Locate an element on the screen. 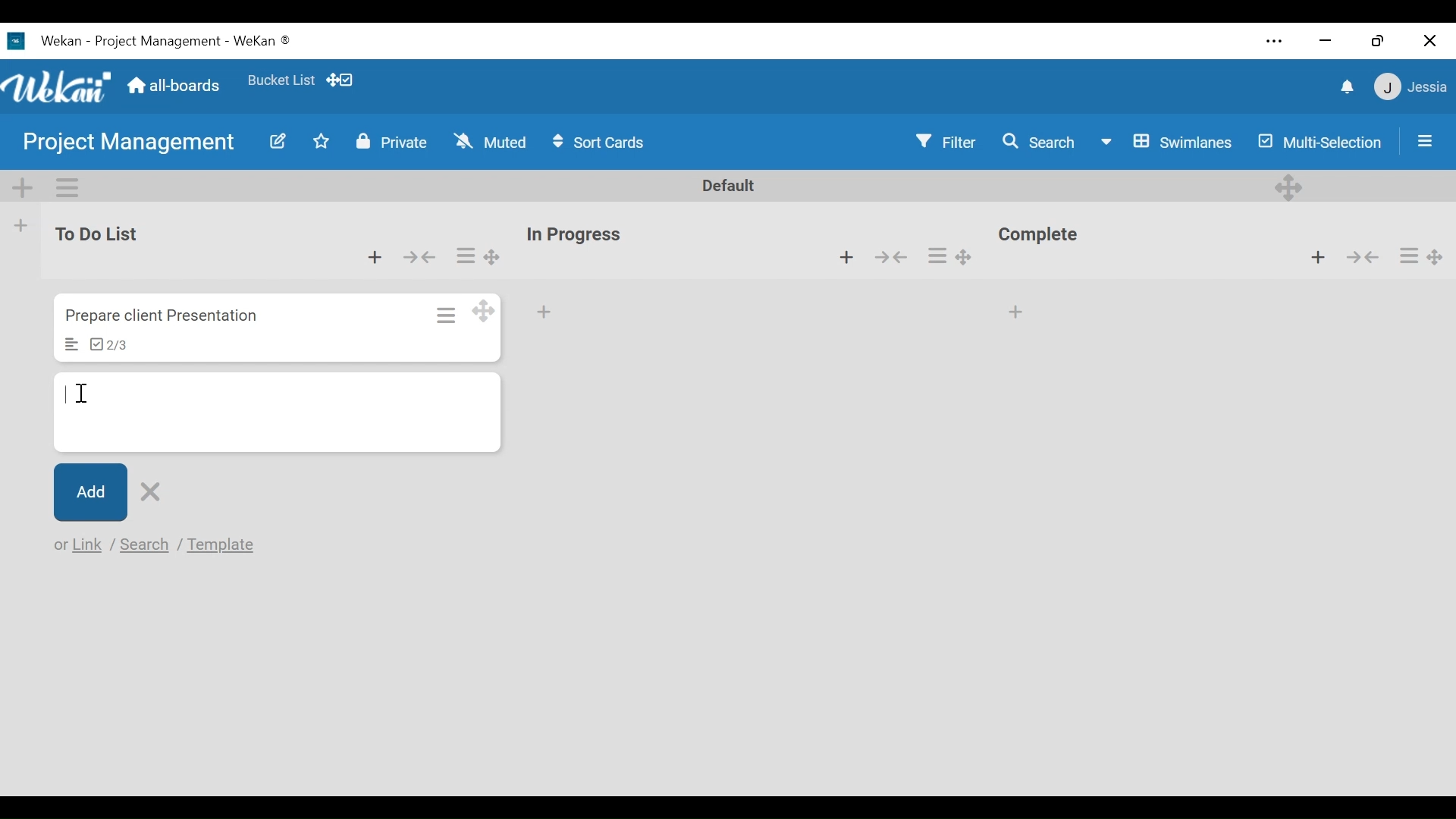 The height and width of the screenshot is (819, 1456). add is located at coordinates (549, 313).